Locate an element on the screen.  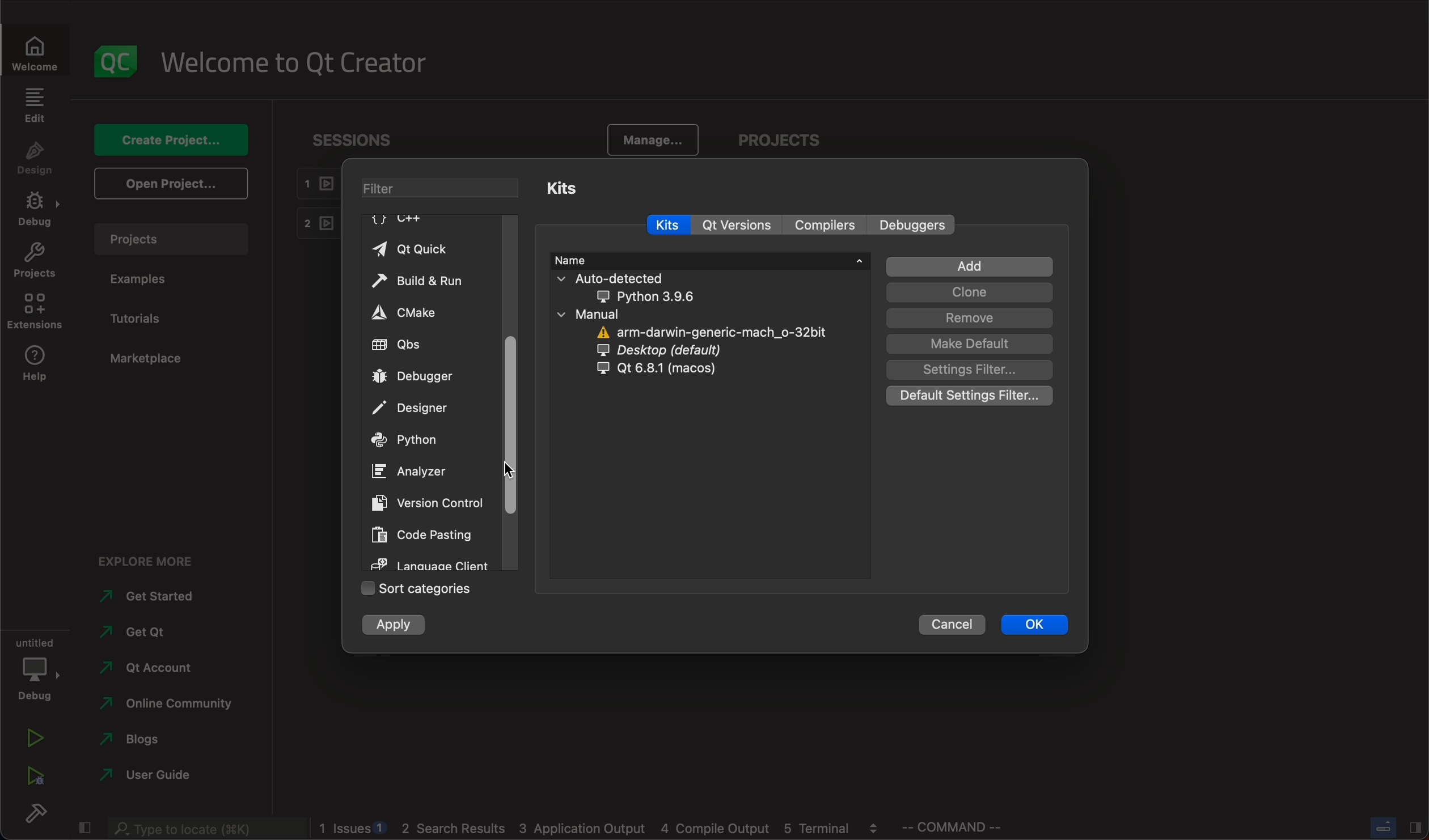
run is located at coordinates (37, 740).